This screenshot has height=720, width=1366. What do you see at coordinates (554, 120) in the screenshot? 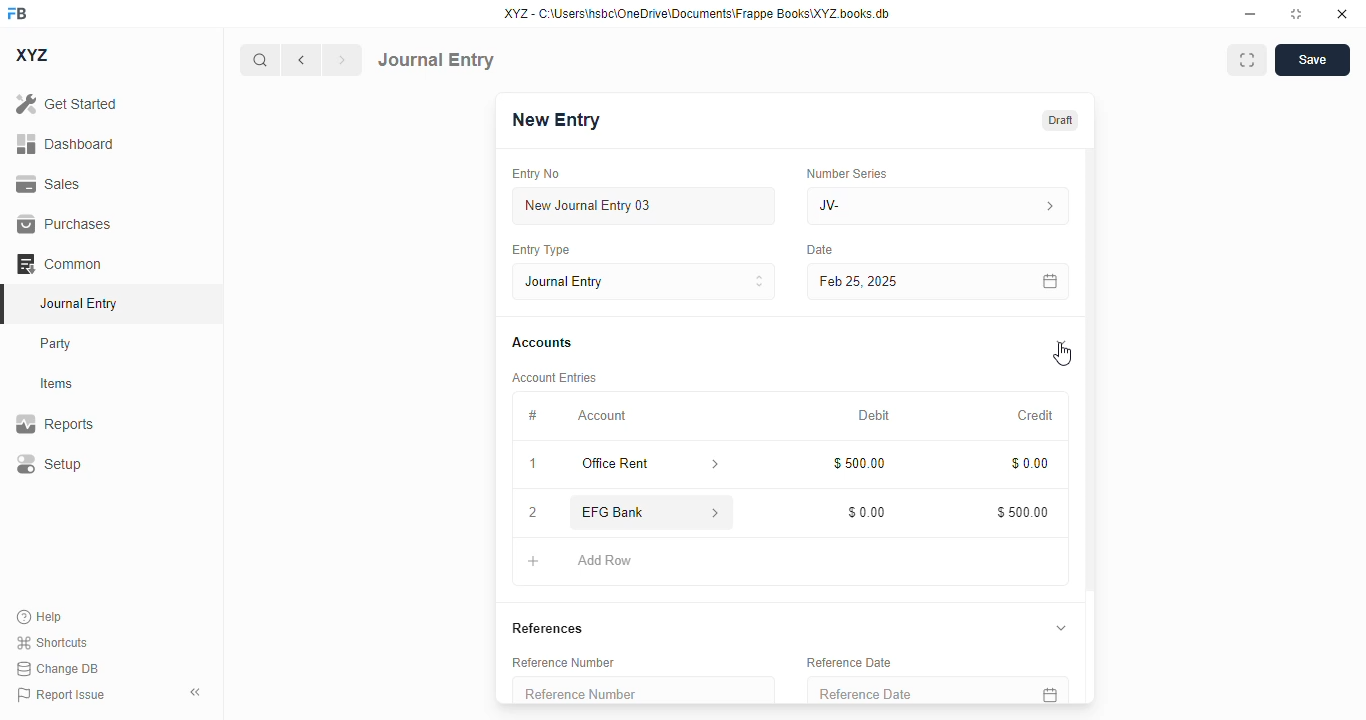
I see `new entry` at bounding box center [554, 120].